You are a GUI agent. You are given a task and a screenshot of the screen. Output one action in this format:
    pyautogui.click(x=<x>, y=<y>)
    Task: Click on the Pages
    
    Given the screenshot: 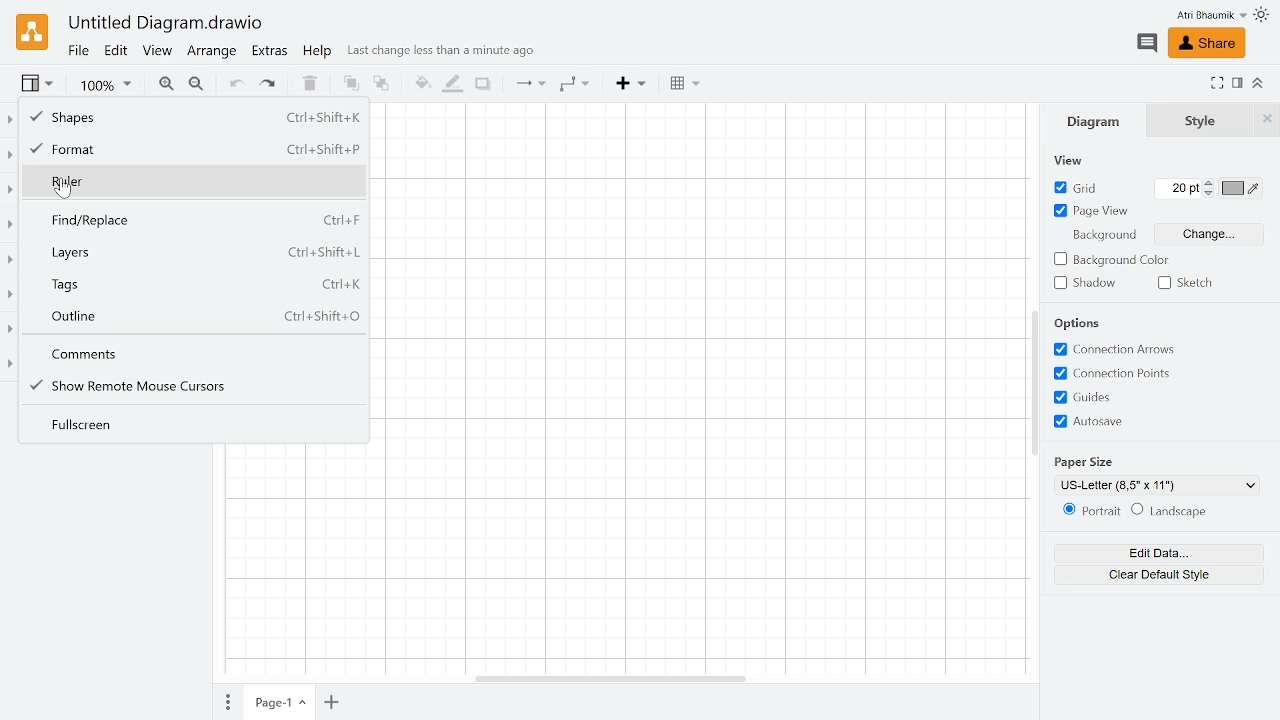 What is the action you would take?
    pyautogui.click(x=227, y=703)
    